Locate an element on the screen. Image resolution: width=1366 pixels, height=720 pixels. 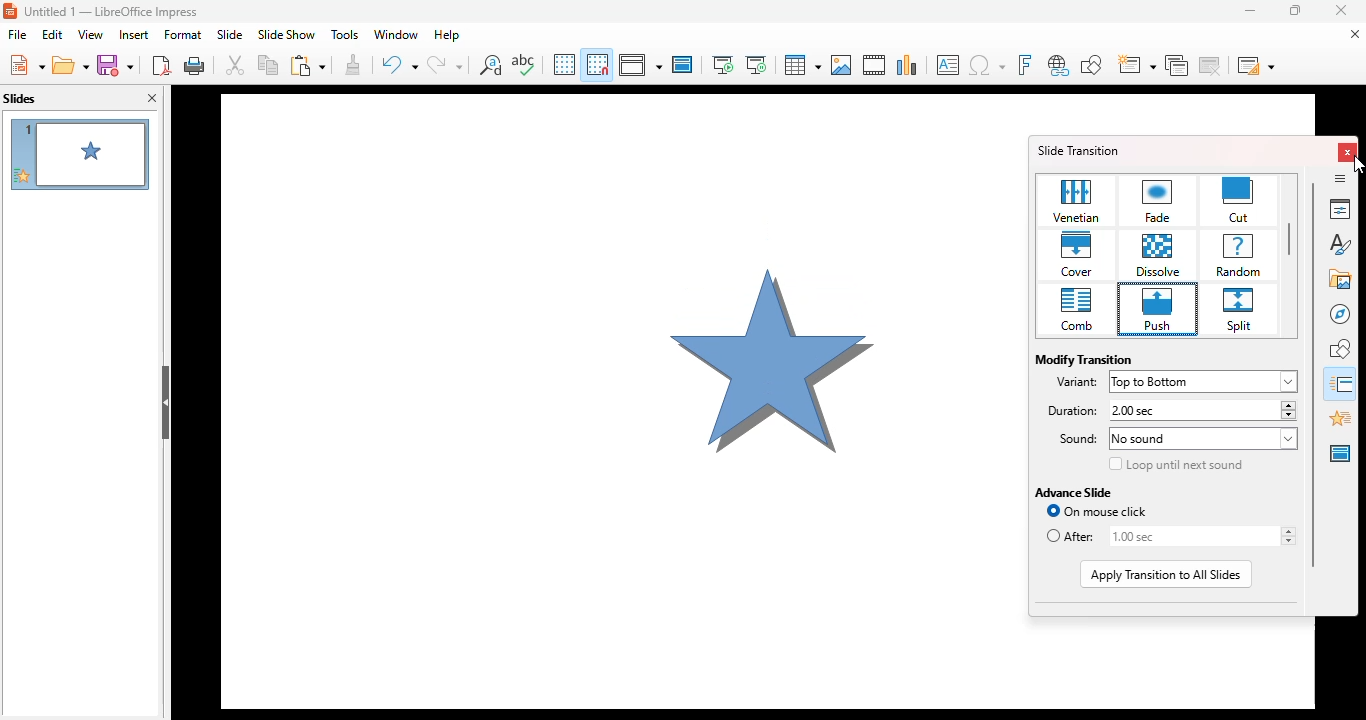
table is located at coordinates (801, 64).